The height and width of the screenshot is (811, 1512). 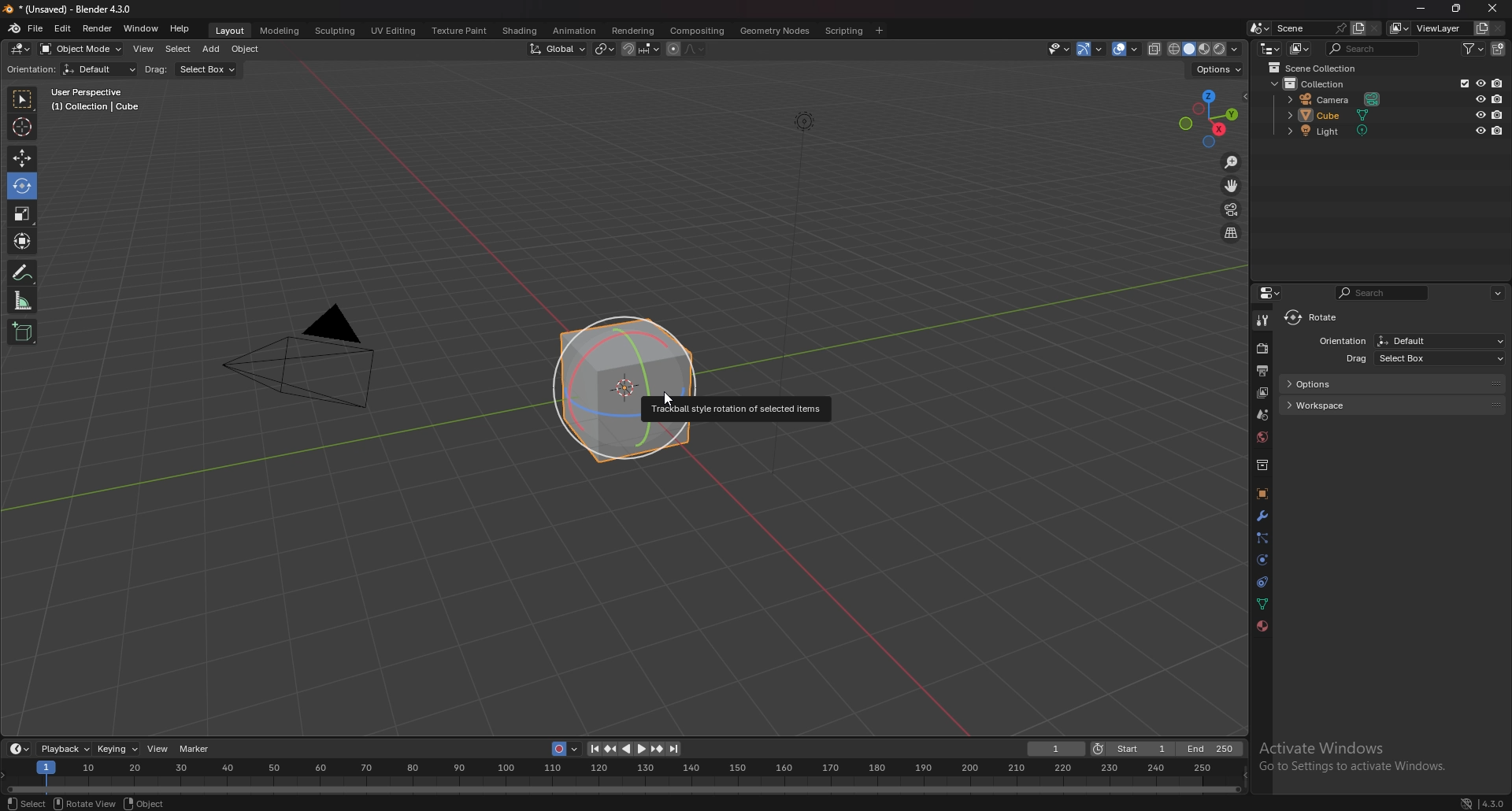 I want to click on annotate, so click(x=24, y=272).